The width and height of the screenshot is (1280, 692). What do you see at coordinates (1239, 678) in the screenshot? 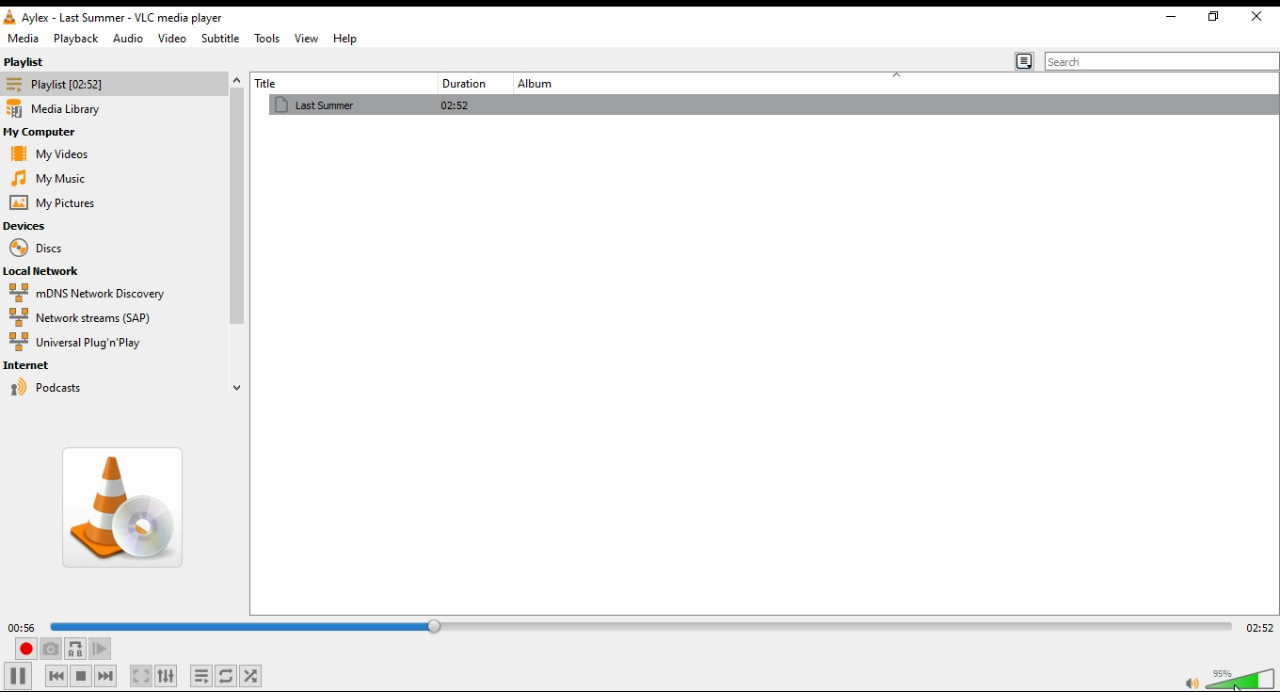
I see `mouse on volume level` at bounding box center [1239, 678].